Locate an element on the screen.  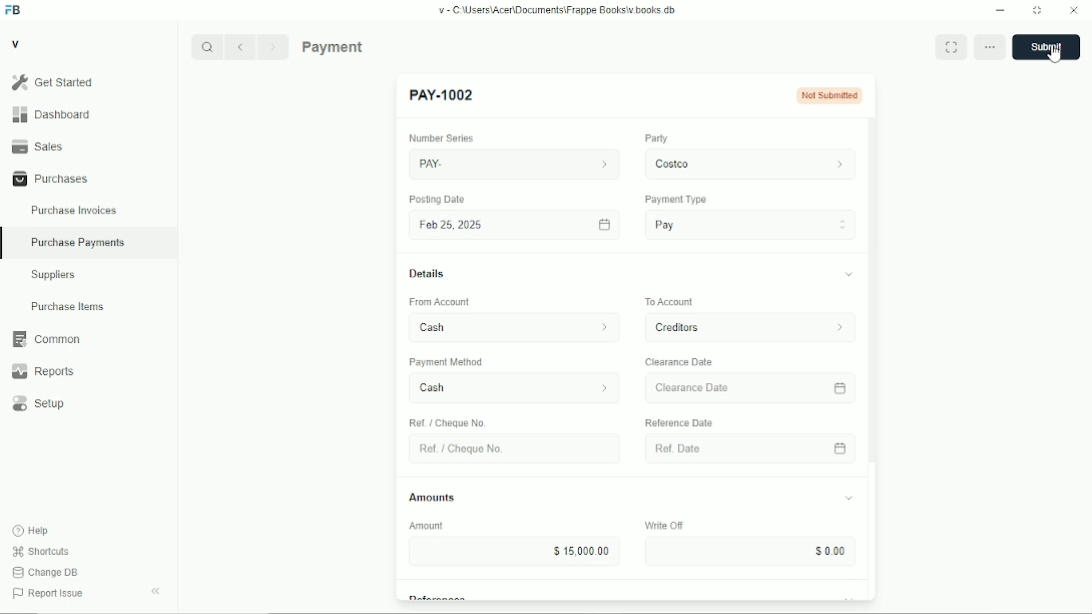
number series is located at coordinates (437, 139).